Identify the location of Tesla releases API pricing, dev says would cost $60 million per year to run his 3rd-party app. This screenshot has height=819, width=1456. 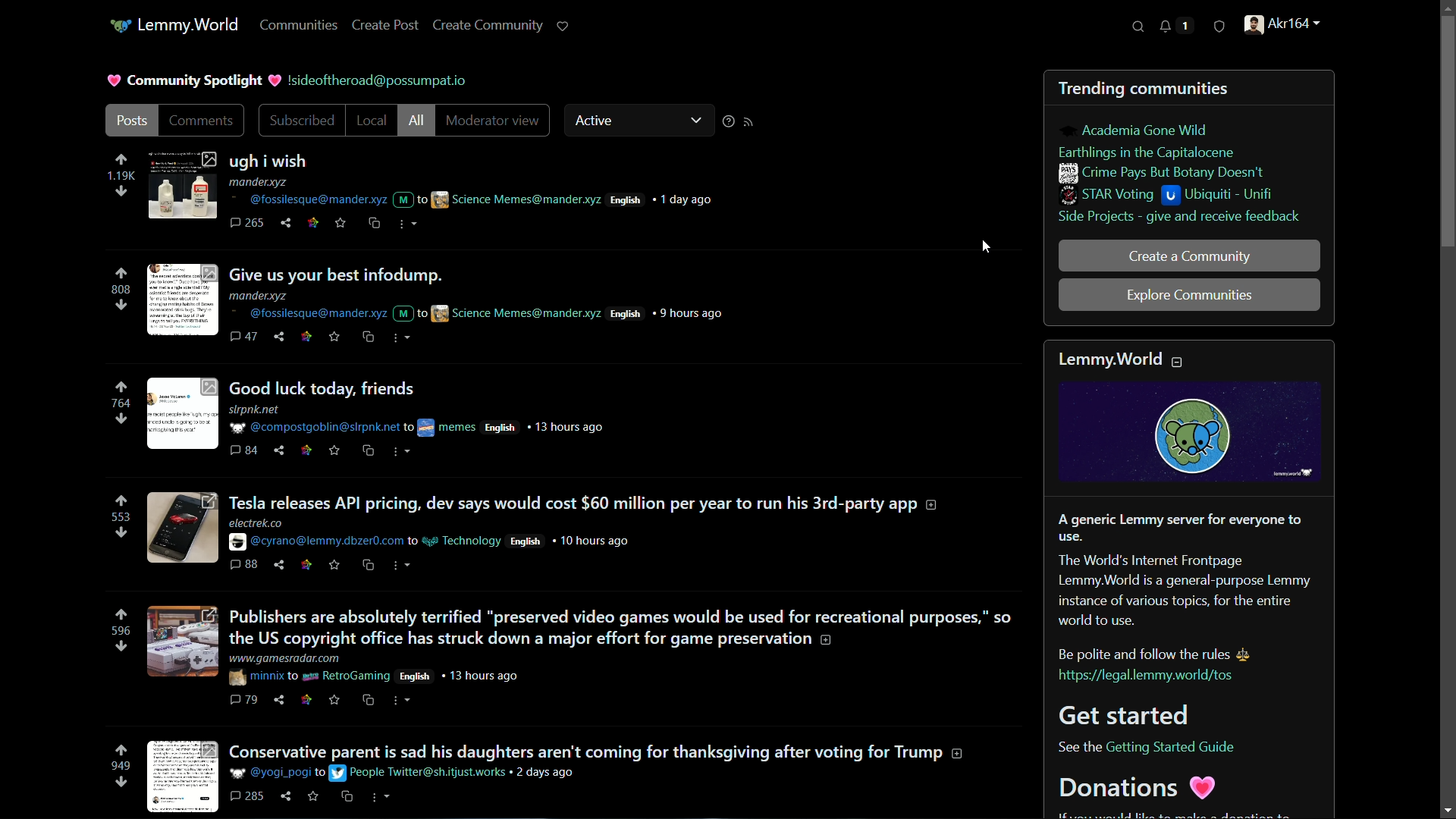
(573, 504).